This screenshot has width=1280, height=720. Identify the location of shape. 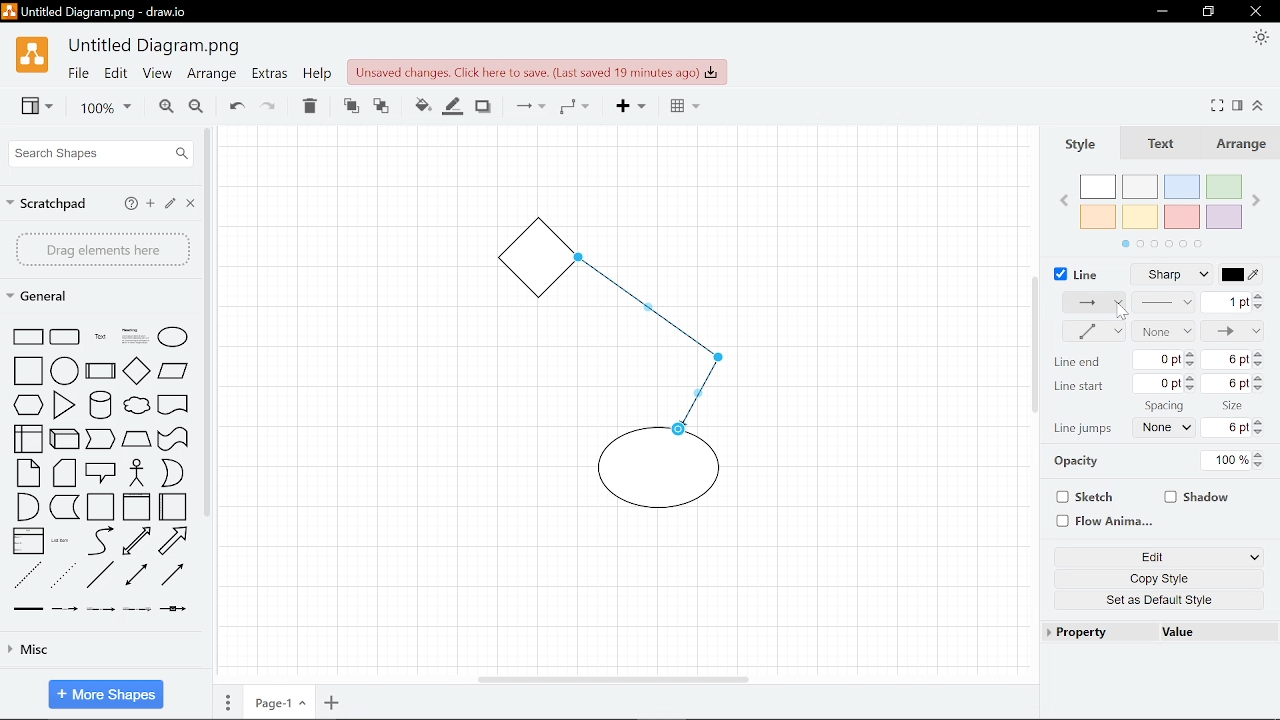
(27, 575).